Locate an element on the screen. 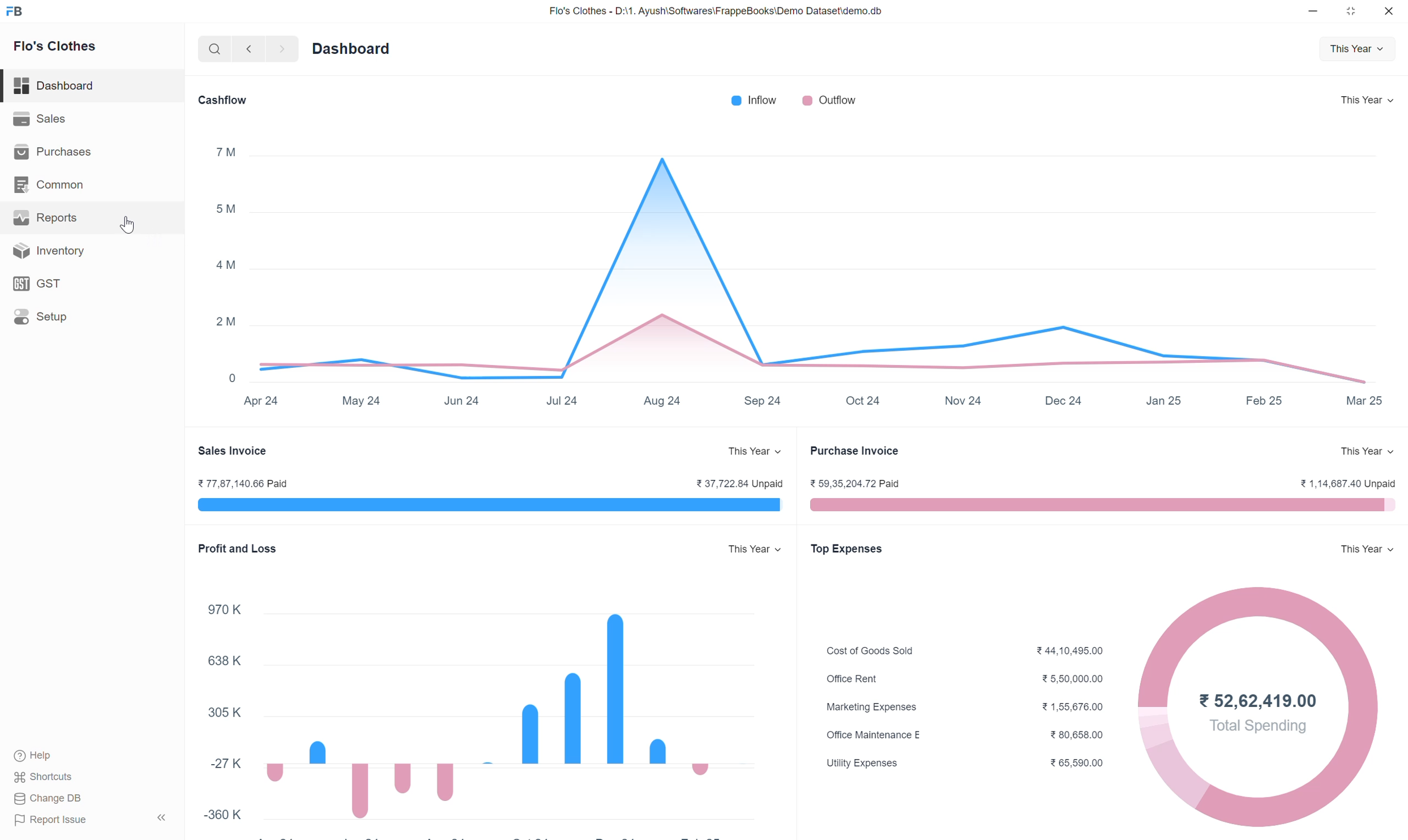  FB is located at coordinates (16, 11).